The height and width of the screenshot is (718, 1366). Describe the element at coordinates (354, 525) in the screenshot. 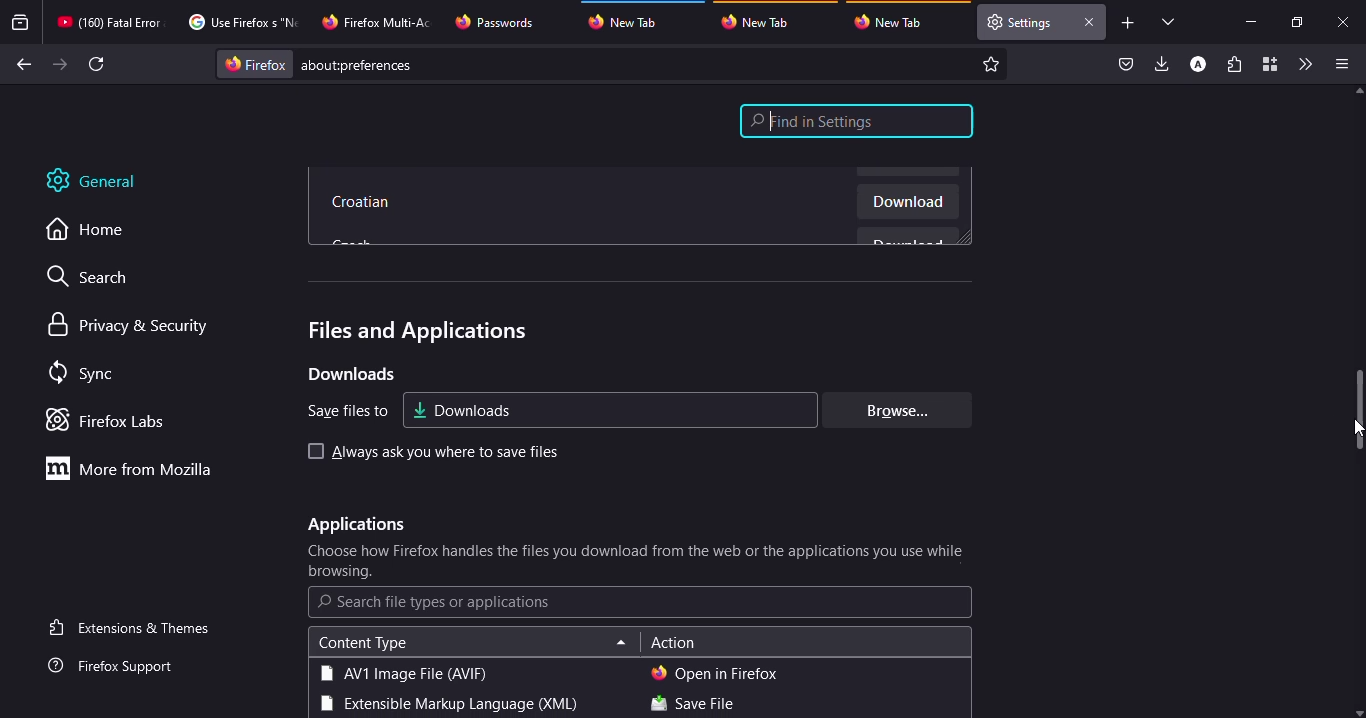

I see `apps` at that location.